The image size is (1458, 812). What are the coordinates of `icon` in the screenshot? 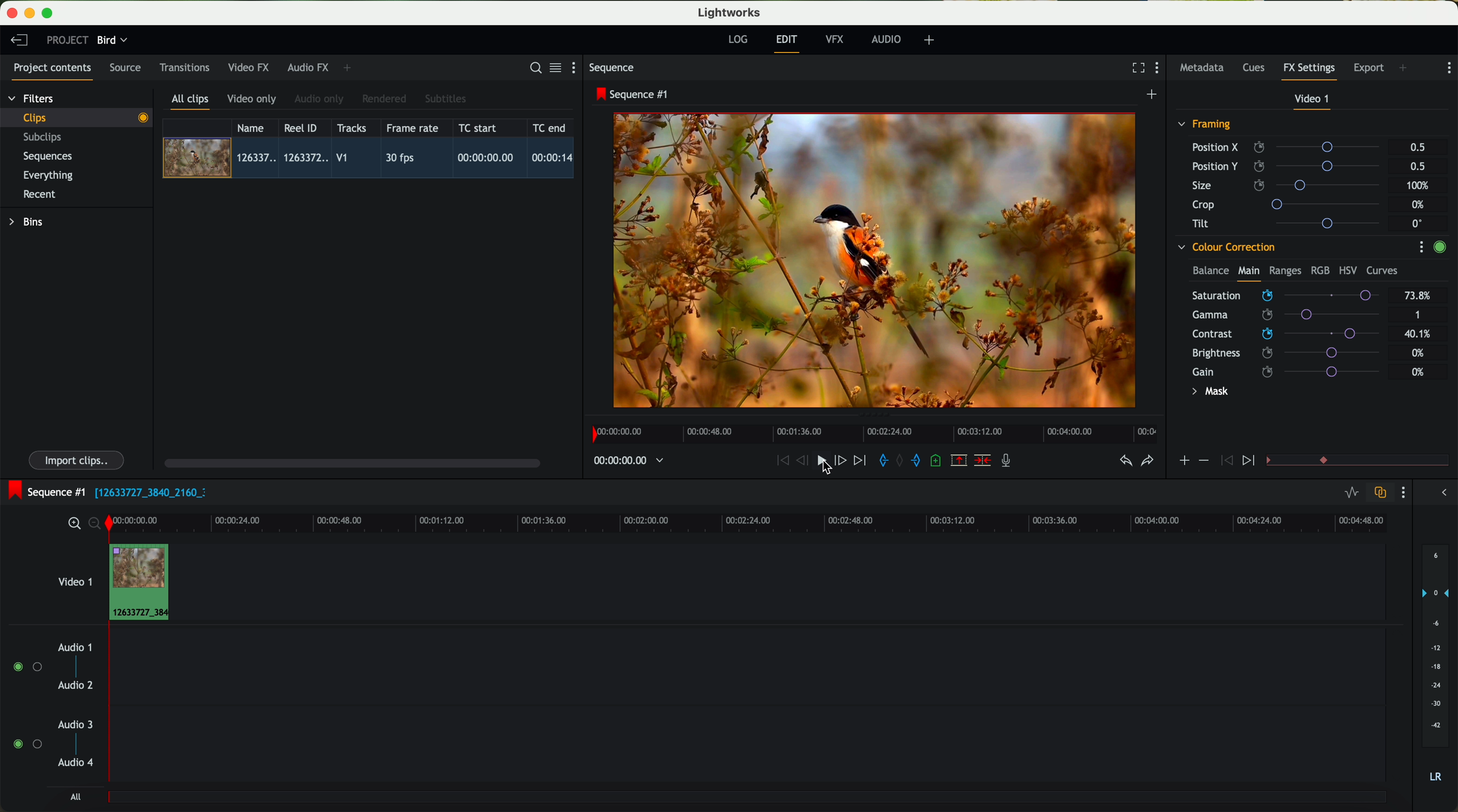 It's located at (1203, 461).